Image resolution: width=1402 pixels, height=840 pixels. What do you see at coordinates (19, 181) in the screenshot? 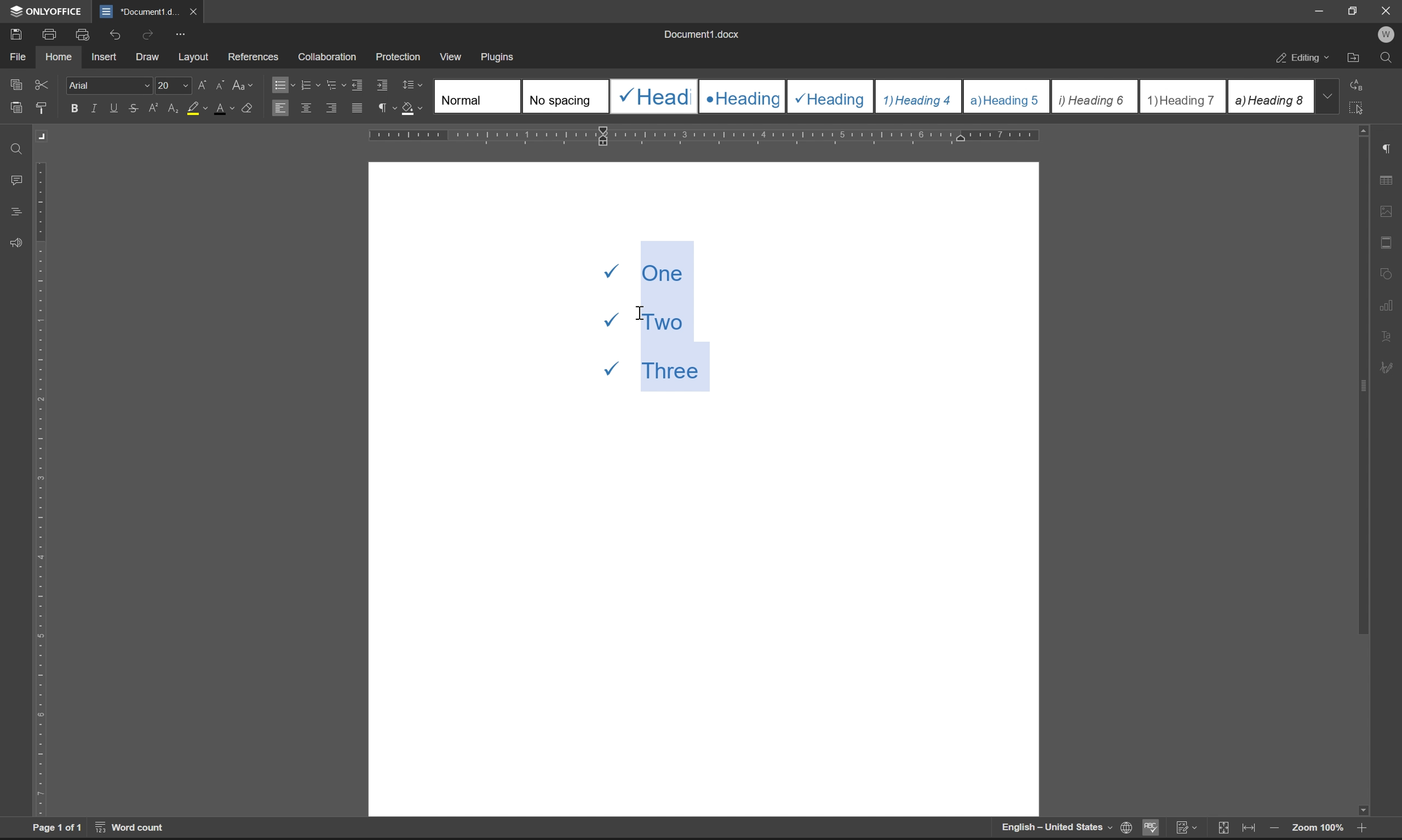
I see `comments` at bounding box center [19, 181].